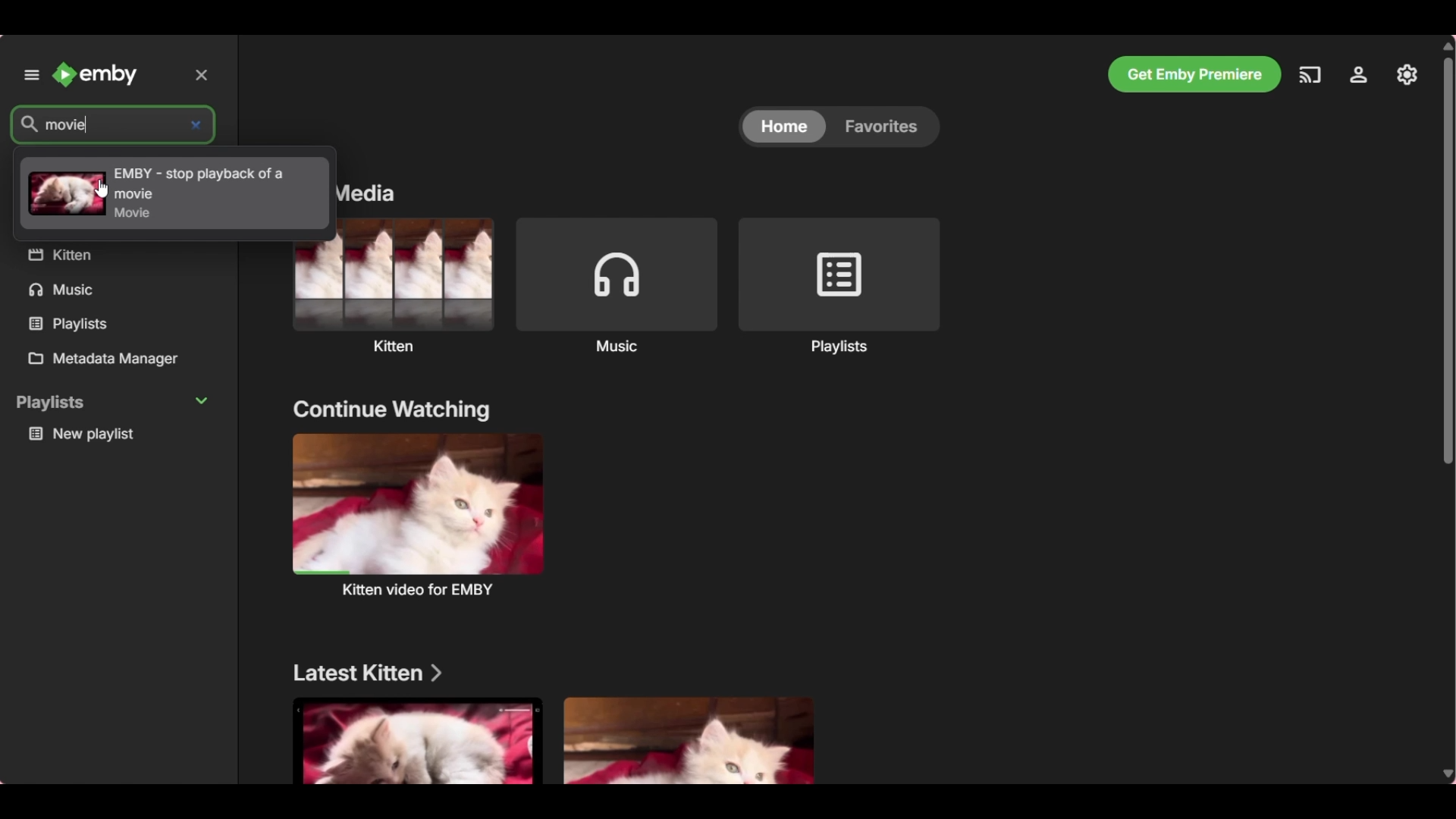 This screenshot has width=1456, height=819. What do you see at coordinates (1407, 75) in the screenshot?
I see `Settings` at bounding box center [1407, 75].